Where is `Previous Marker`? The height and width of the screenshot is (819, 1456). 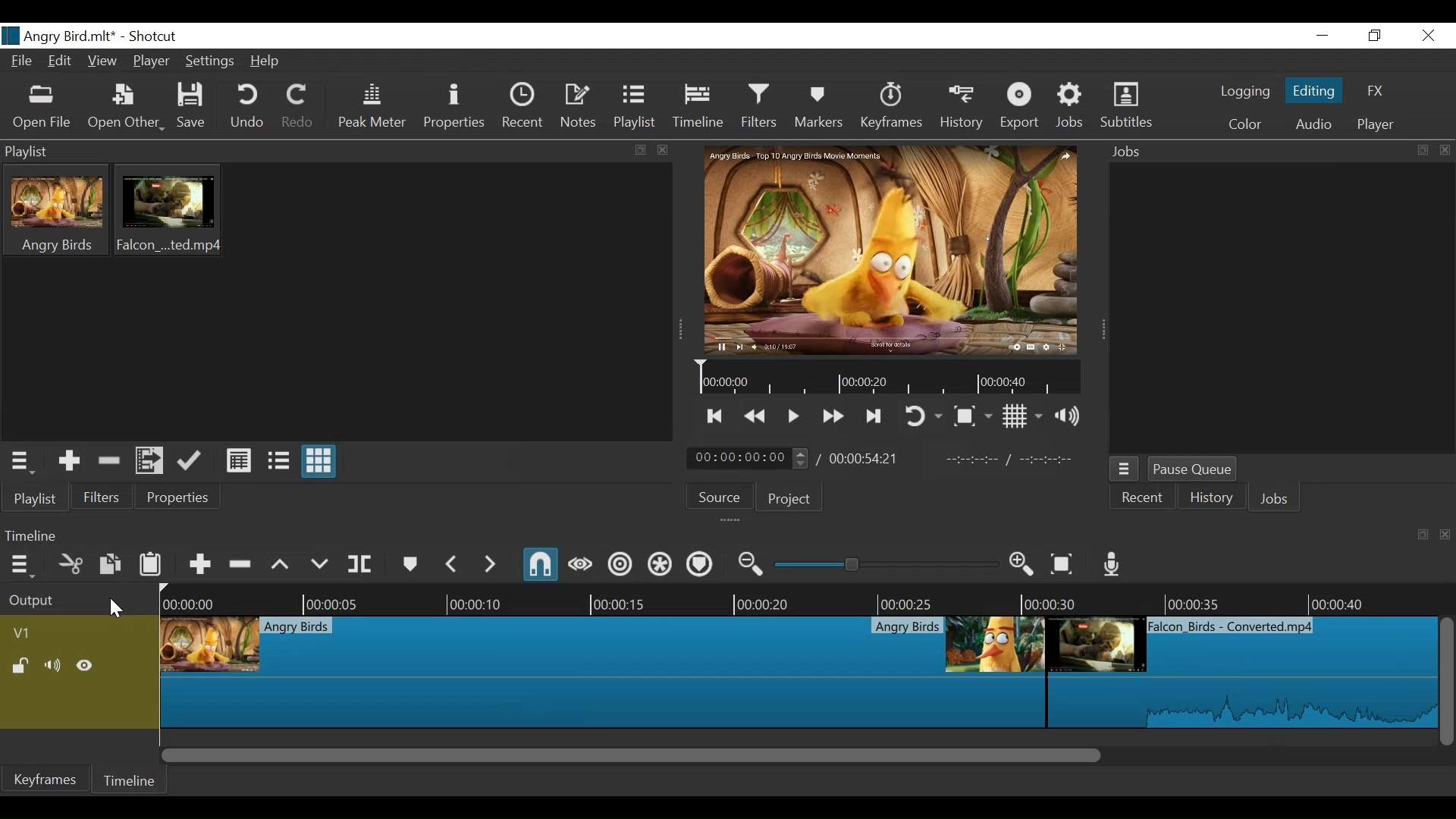 Previous Marker is located at coordinates (453, 564).